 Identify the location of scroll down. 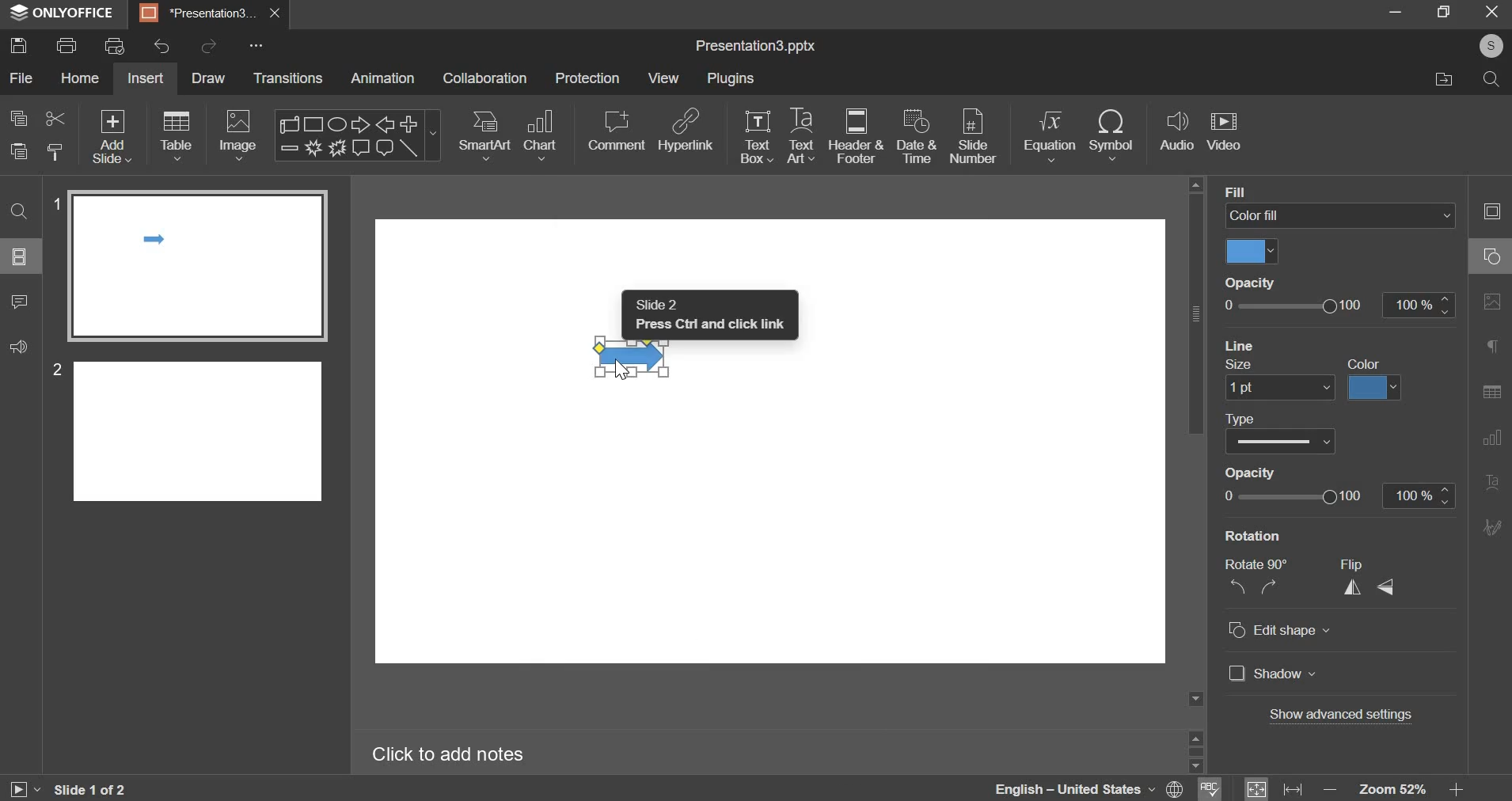
(1195, 766).